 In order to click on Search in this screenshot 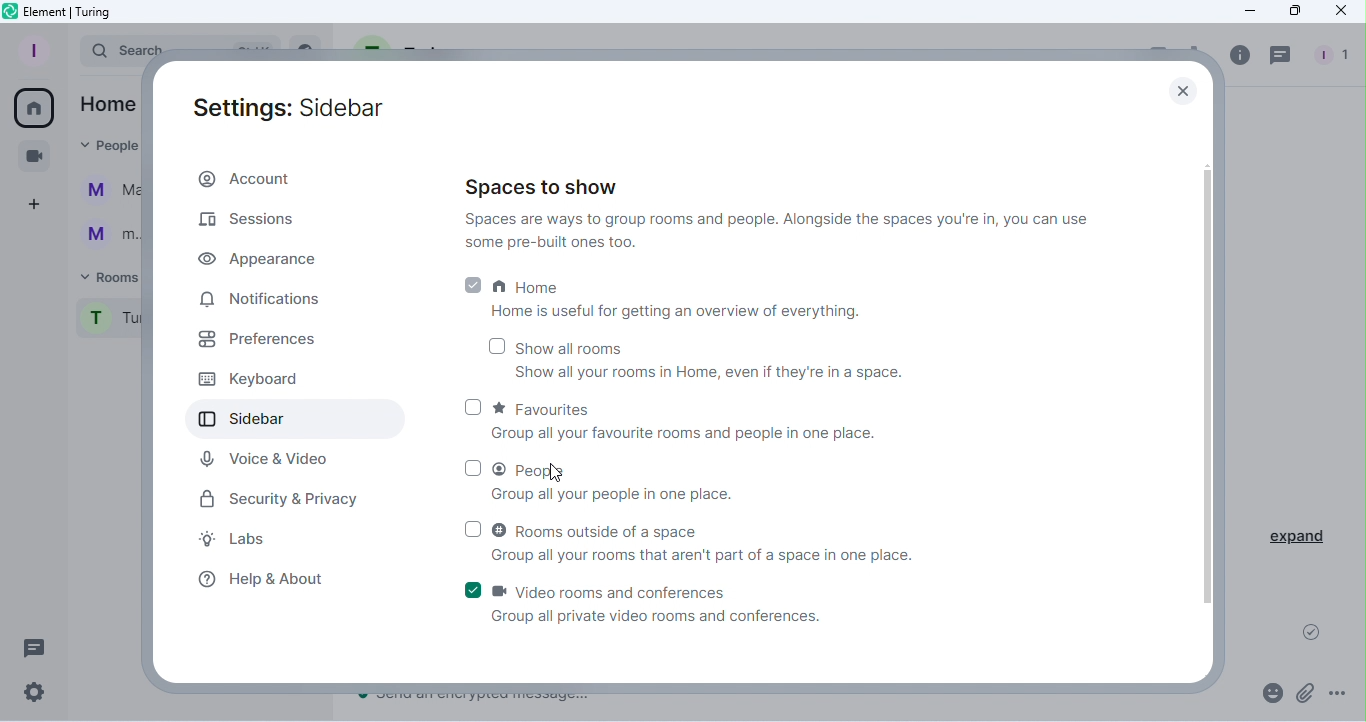, I will do `click(108, 52)`.